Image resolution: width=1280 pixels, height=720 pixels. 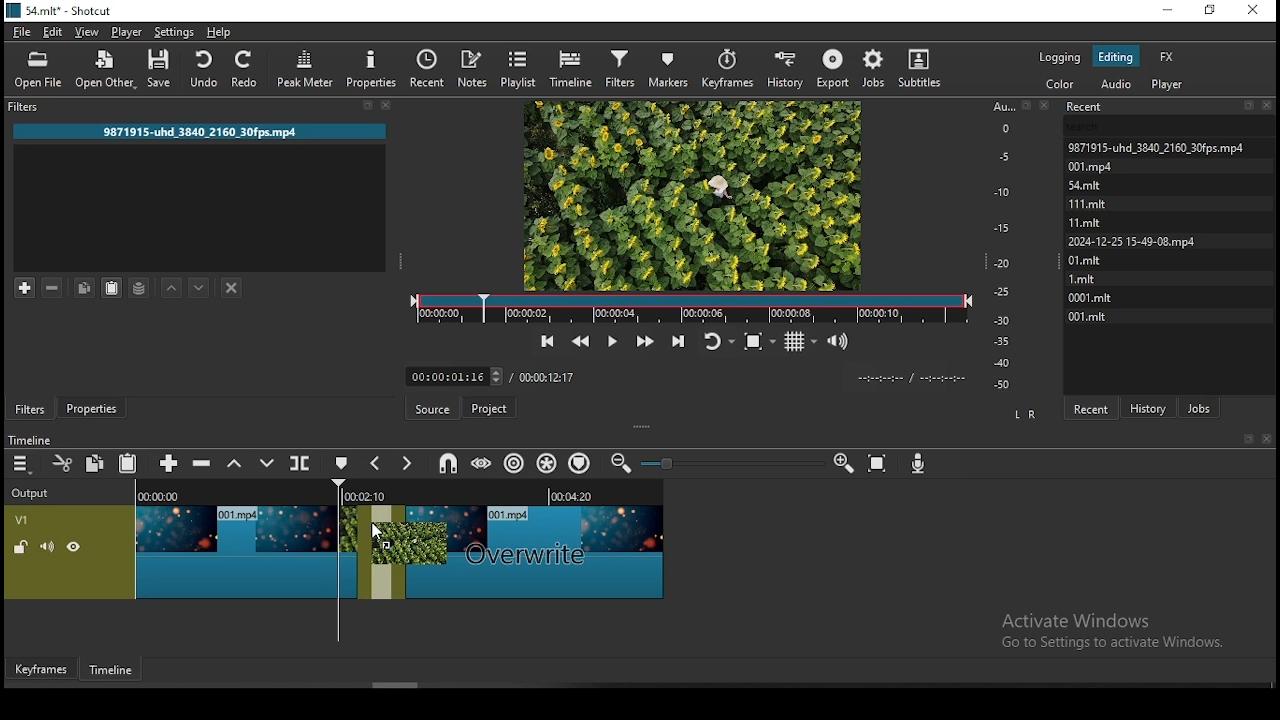 I want to click on cut, so click(x=59, y=462).